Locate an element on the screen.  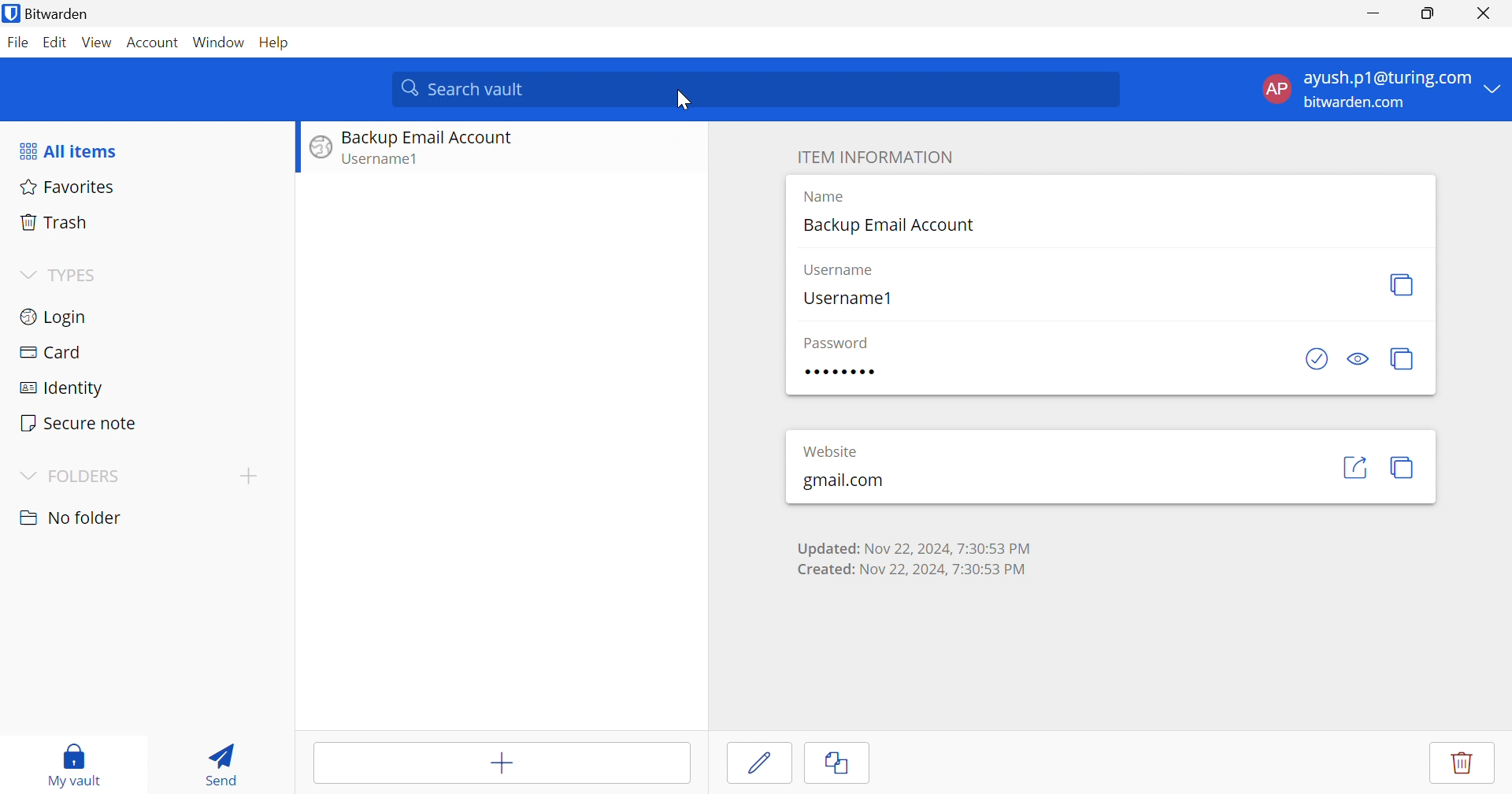
Minimize is located at coordinates (1373, 13).